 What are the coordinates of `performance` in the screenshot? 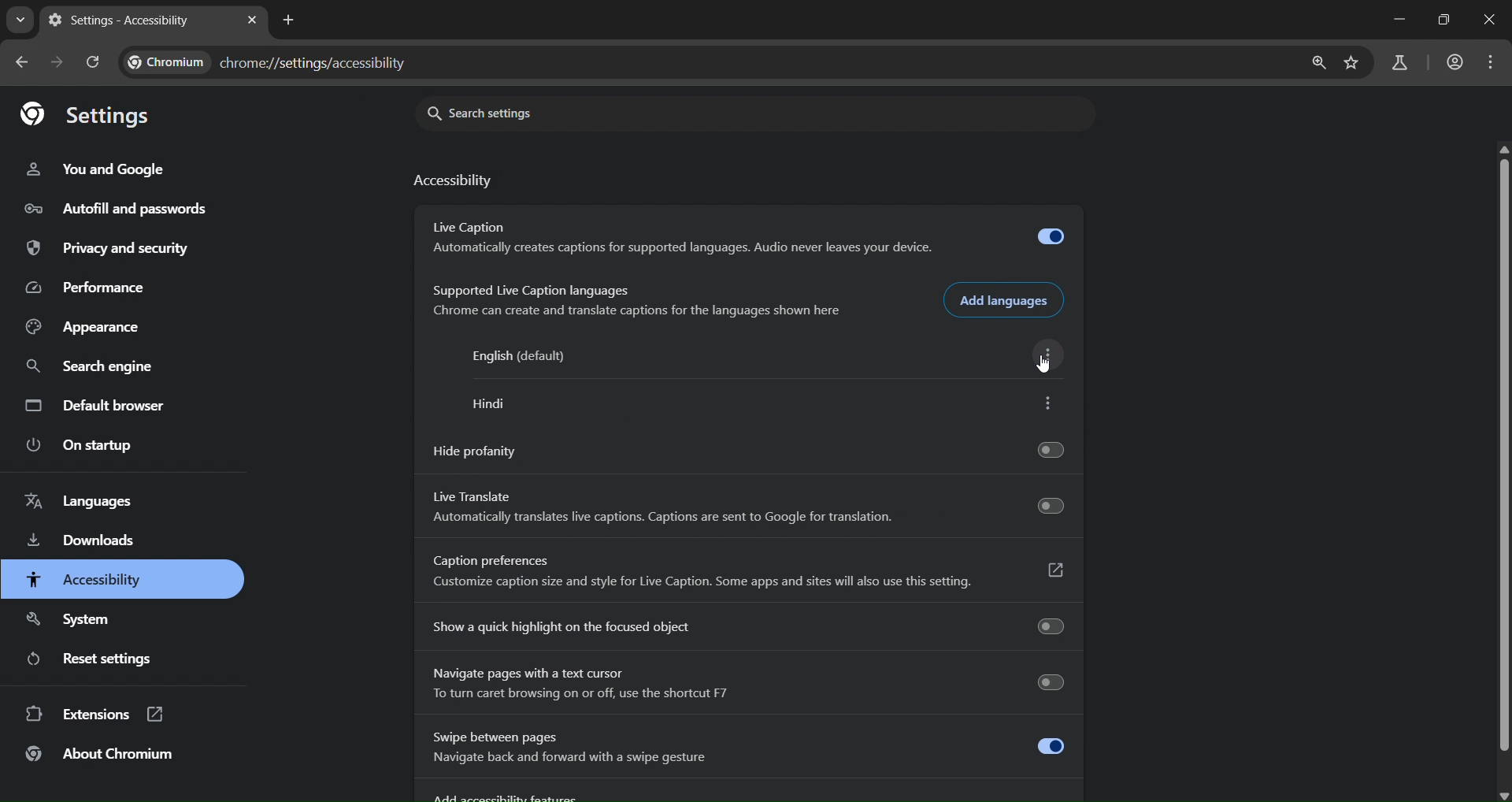 It's located at (93, 288).